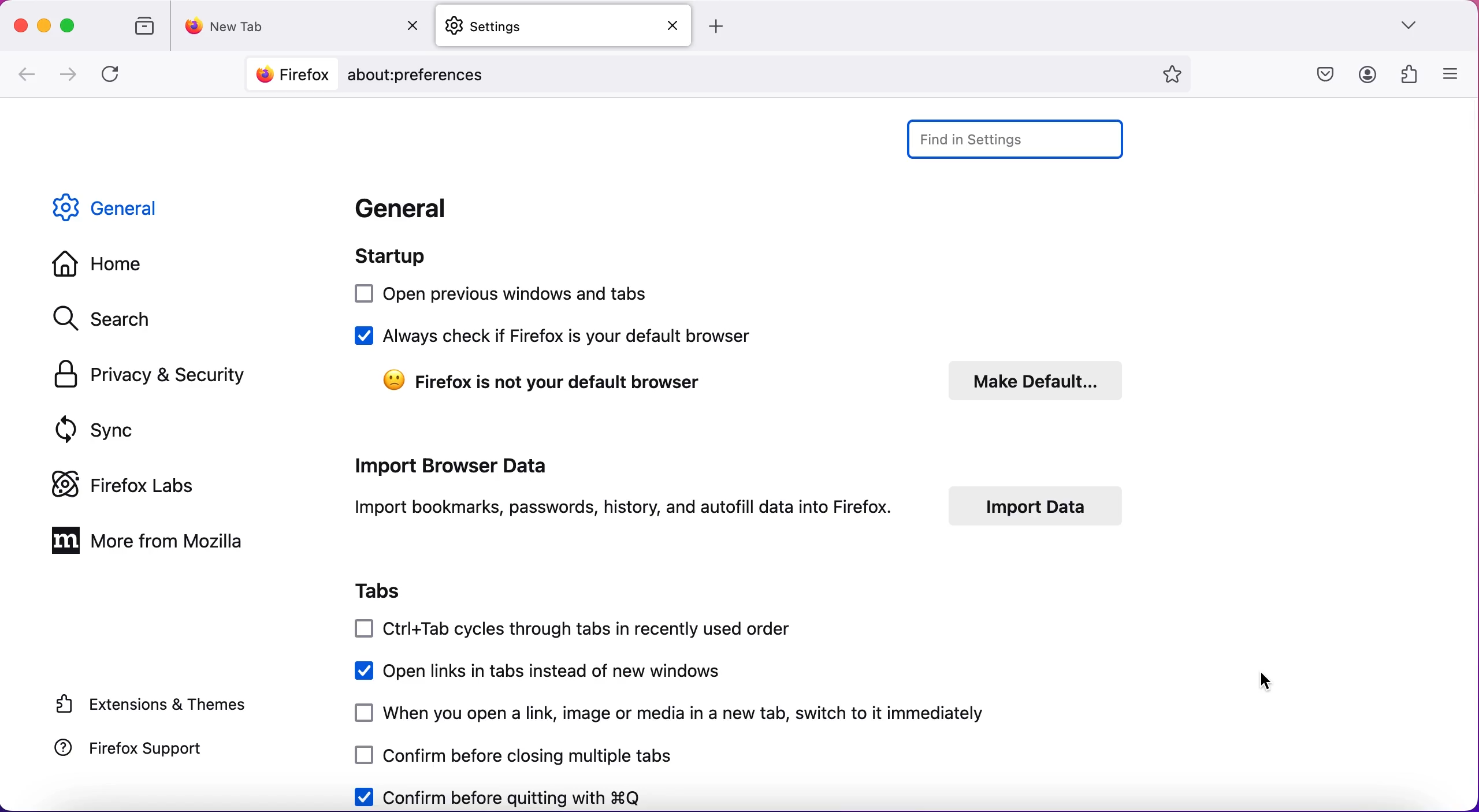  What do you see at coordinates (514, 796) in the screenshot?
I see `confirm before quitting with Q` at bounding box center [514, 796].